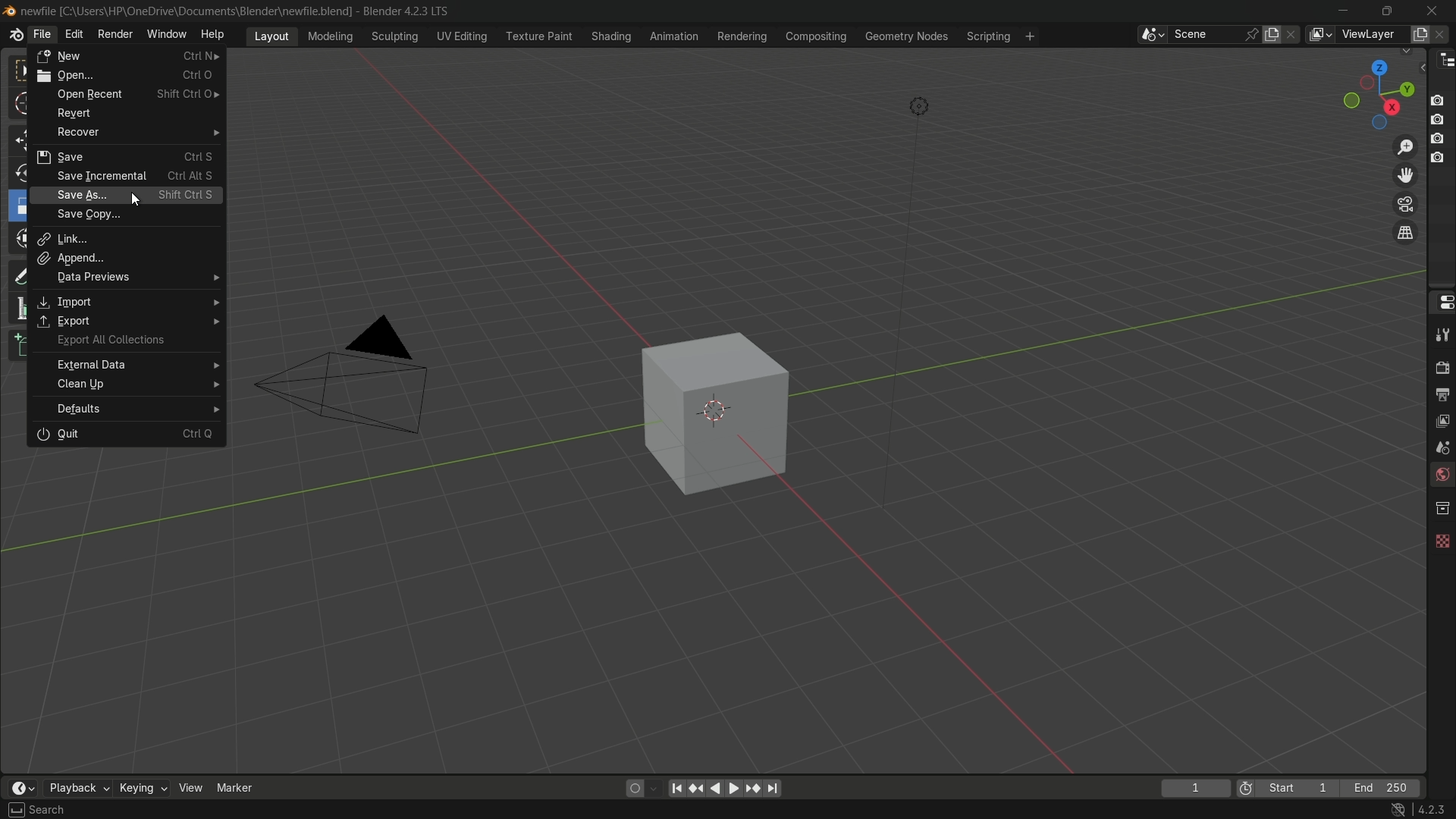 The width and height of the screenshot is (1456, 819). I want to click on measure, so click(12, 309).